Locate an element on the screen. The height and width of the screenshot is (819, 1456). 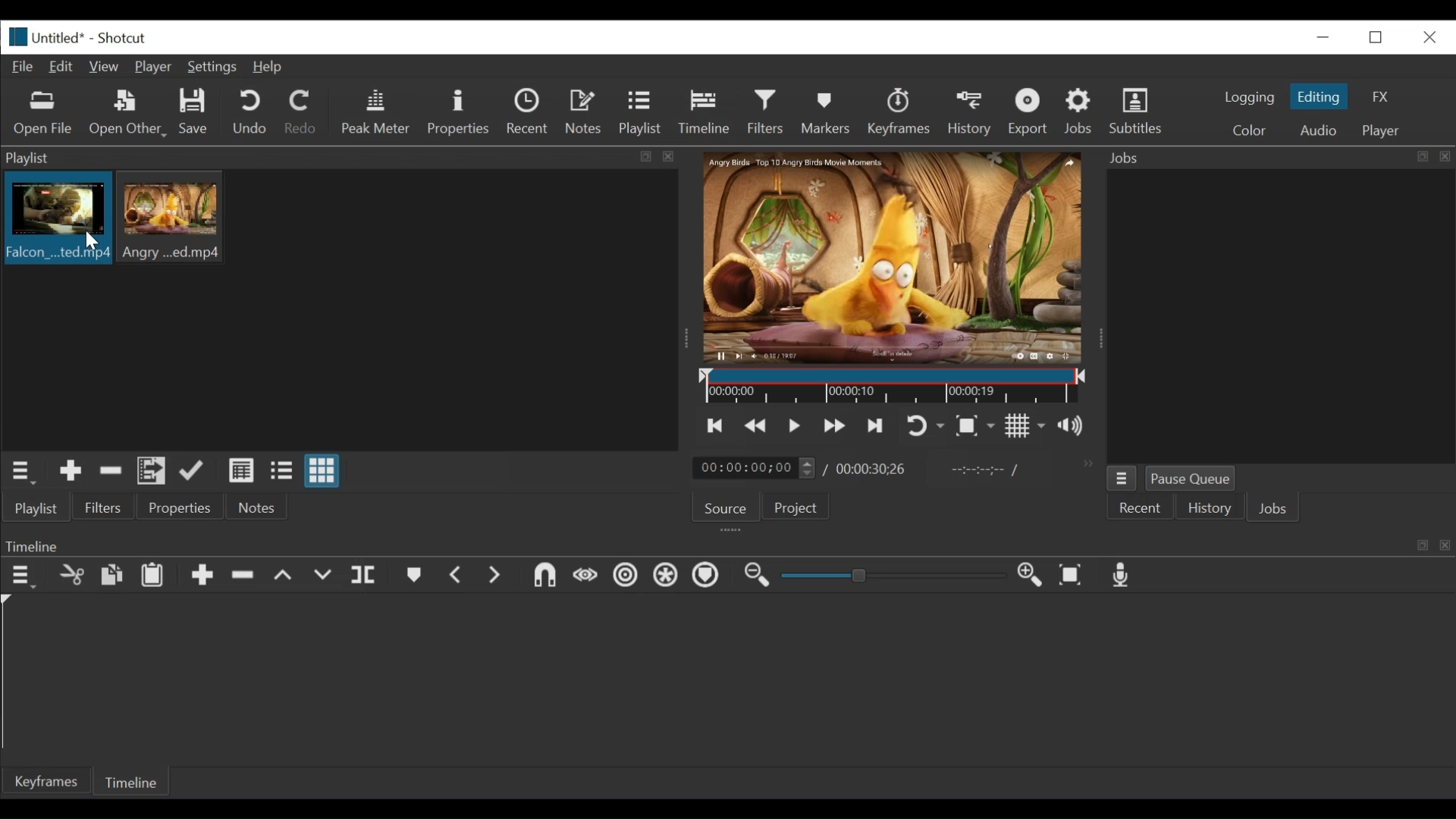
Remove cut is located at coordinates (111, 473).